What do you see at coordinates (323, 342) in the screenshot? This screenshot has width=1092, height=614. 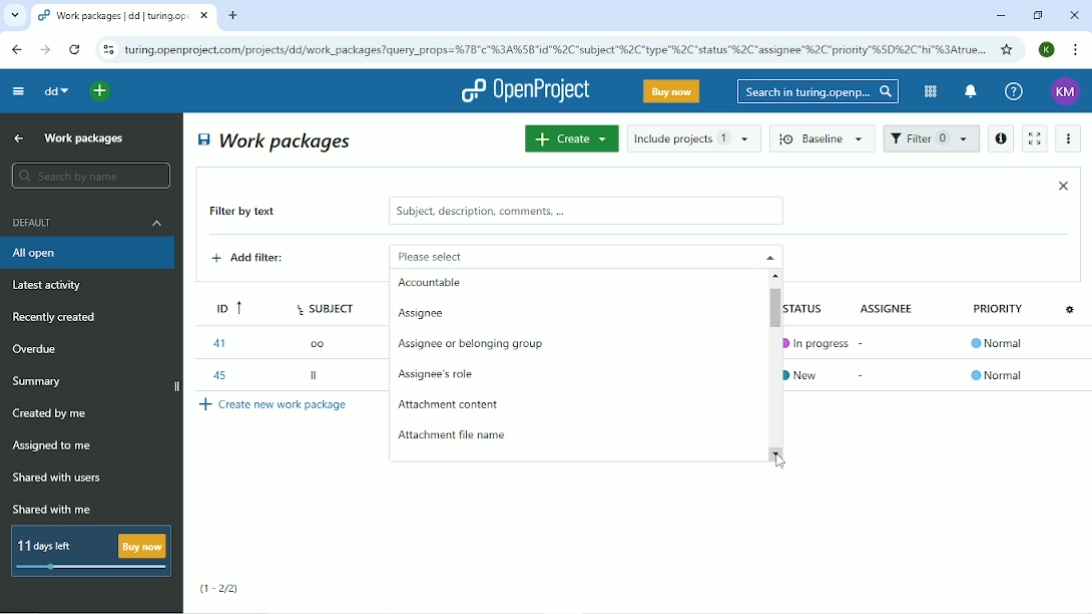 I see `oo` at bounding box center [323, 342].